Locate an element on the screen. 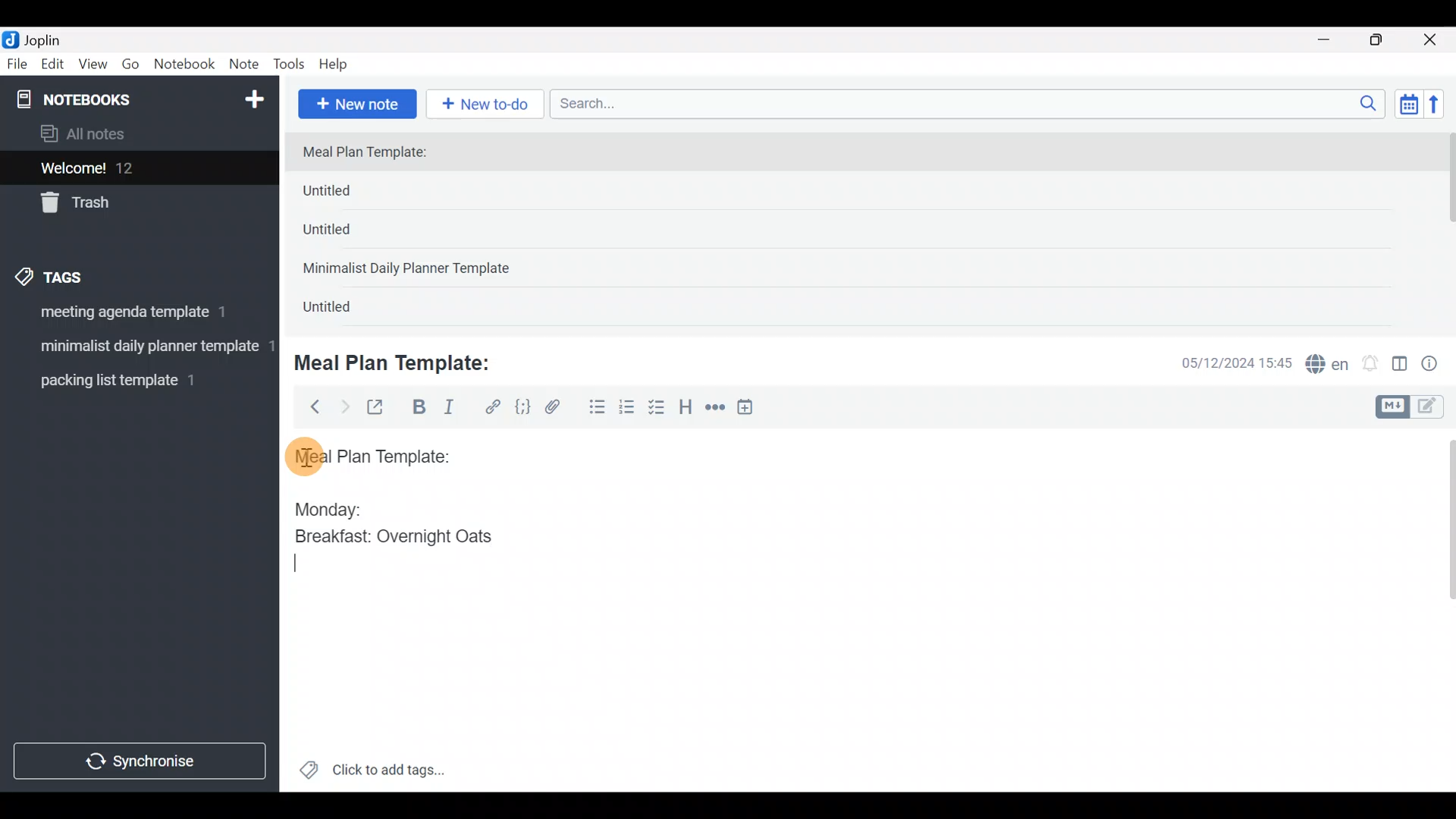  Notebooks is located at coordinates (107, 99).